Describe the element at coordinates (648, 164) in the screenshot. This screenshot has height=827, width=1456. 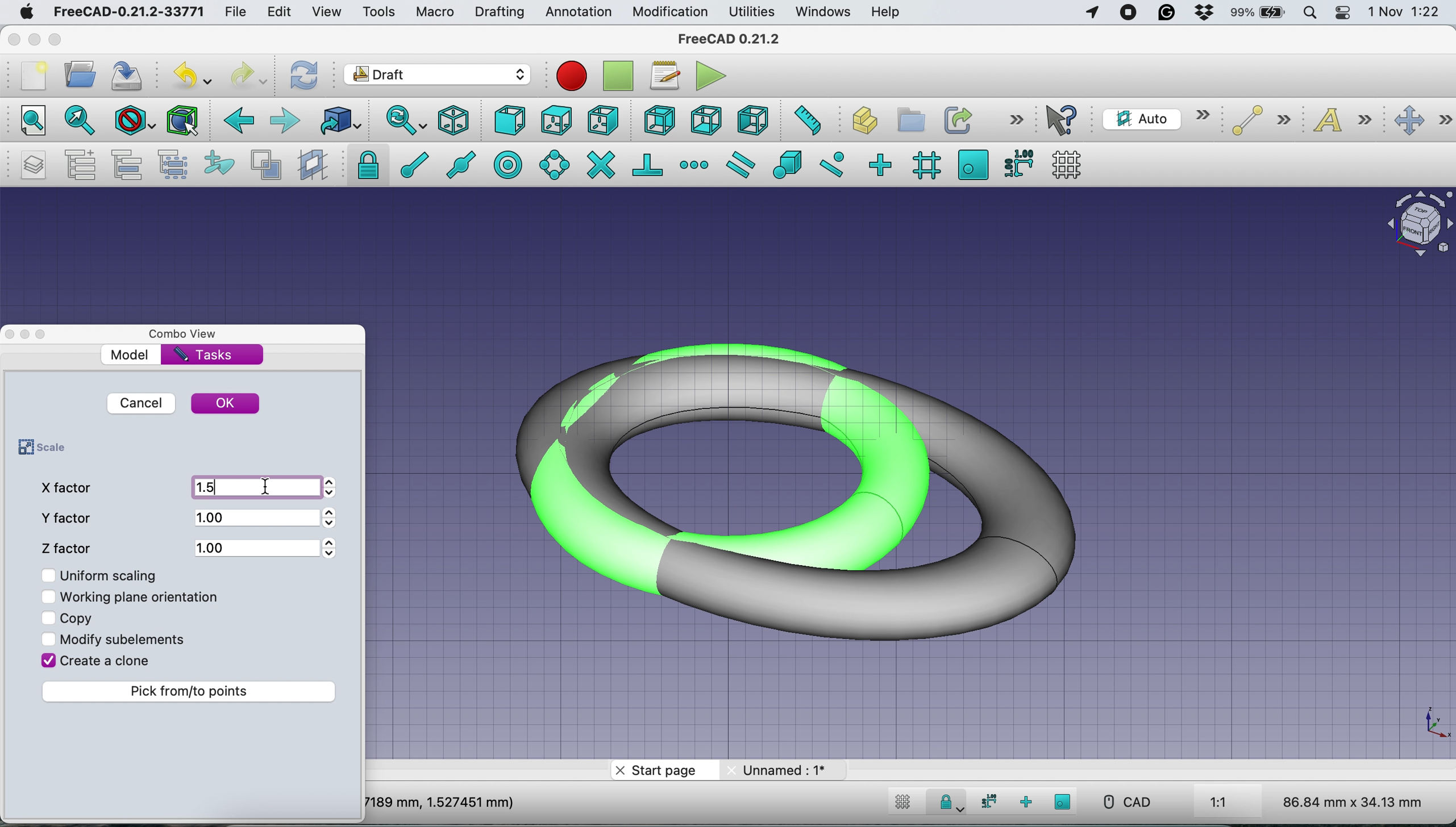
I see `snap perpendicular` at that location.